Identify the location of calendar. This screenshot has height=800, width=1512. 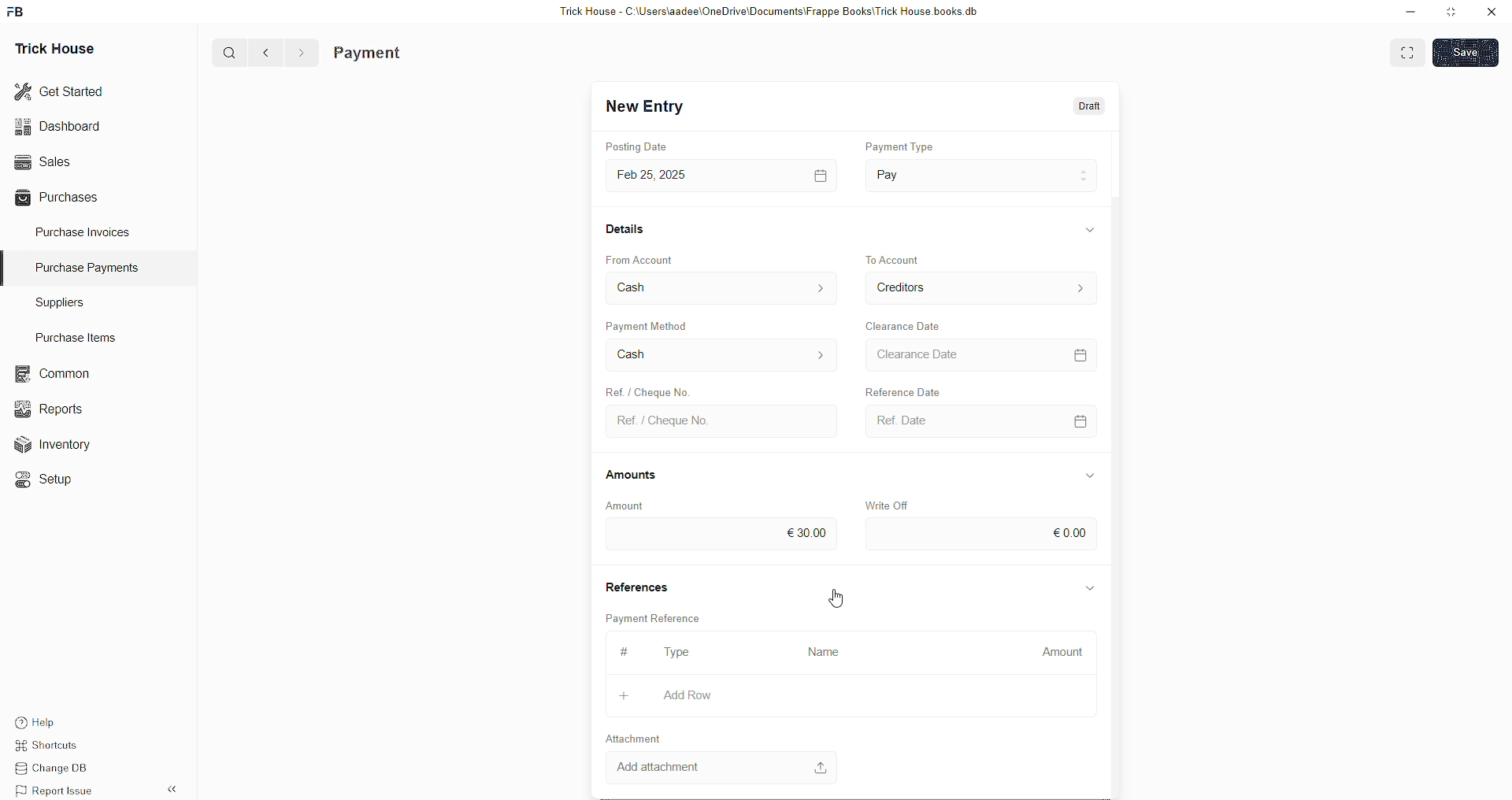
(1080, 355).